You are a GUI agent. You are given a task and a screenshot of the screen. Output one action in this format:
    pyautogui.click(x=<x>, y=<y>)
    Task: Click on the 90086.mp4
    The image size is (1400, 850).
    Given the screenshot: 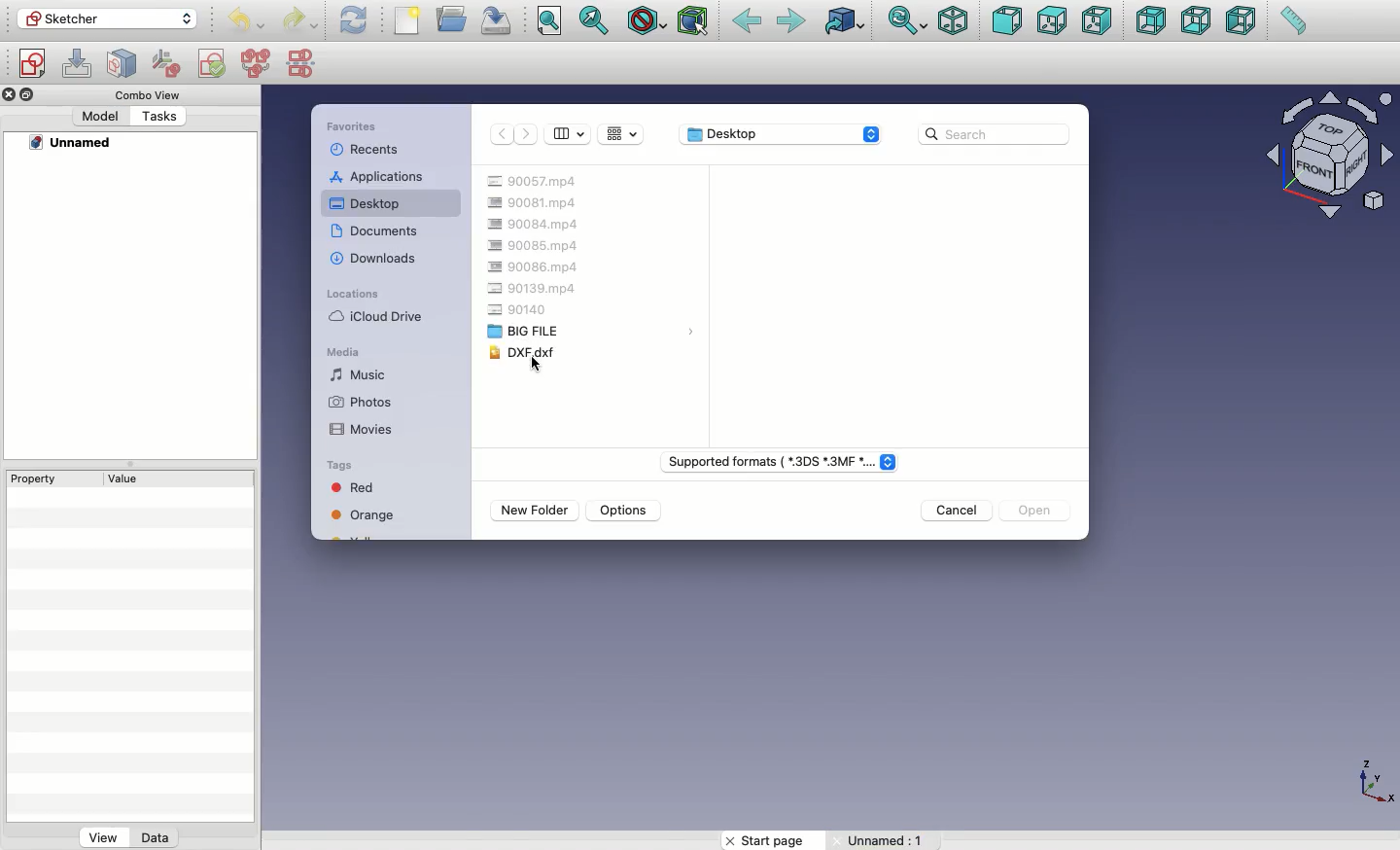 What is the action you would take?
    pyautogui.click(x=536, y=266)
    